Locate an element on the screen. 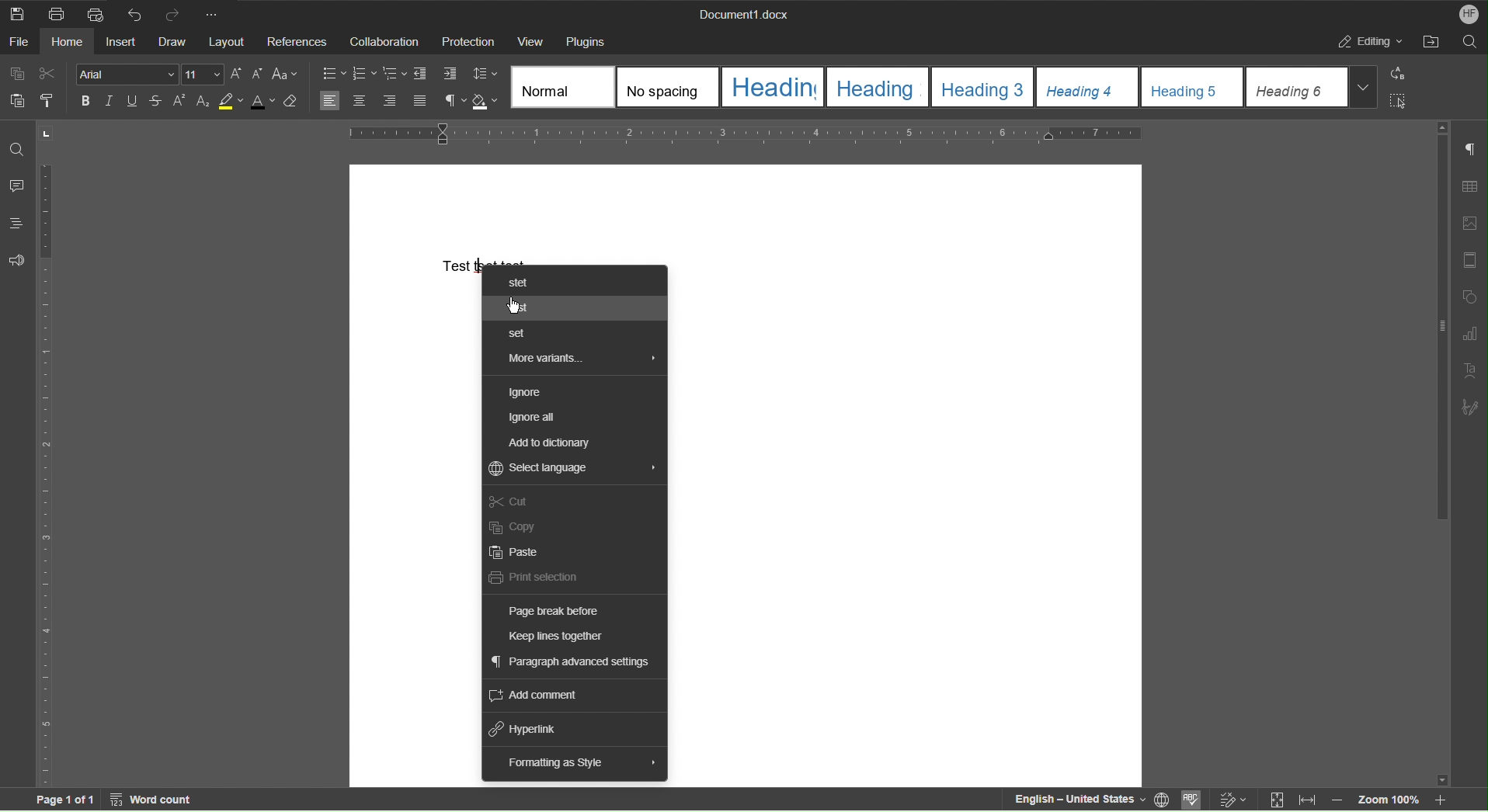 This screenshot has width=1488, height=812. Add to dictionary is located at coordinates (549, 446).